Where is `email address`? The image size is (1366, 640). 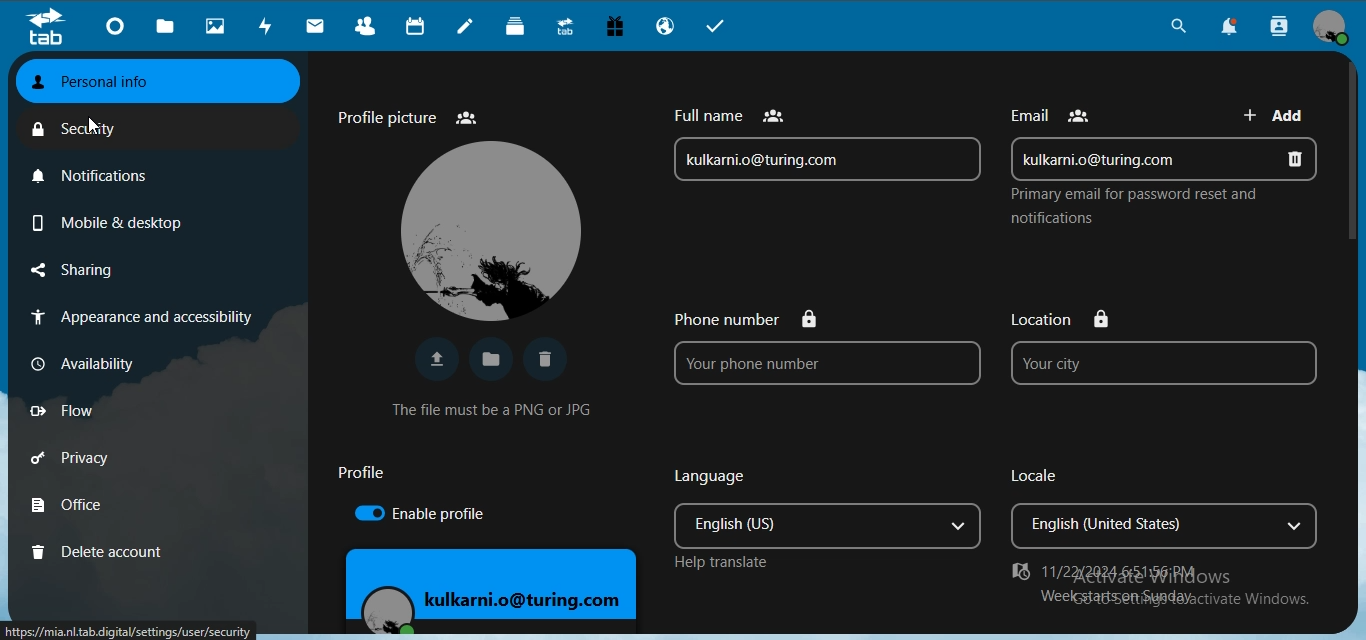 email address is located at coordinates (1134, 159).